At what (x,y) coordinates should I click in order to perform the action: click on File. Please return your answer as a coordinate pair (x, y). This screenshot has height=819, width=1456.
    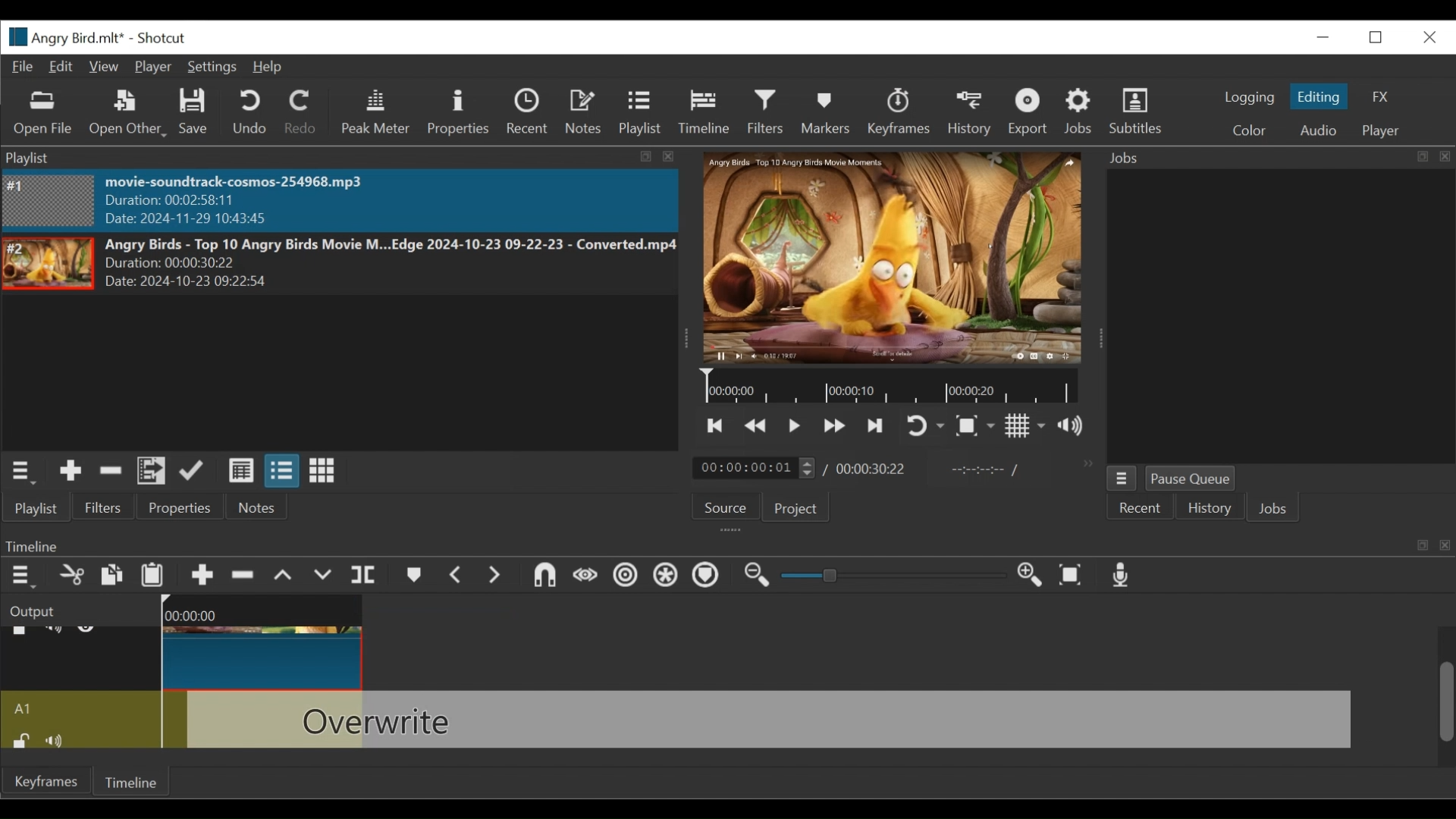
    Looking at the image, I should click on (24, 66).